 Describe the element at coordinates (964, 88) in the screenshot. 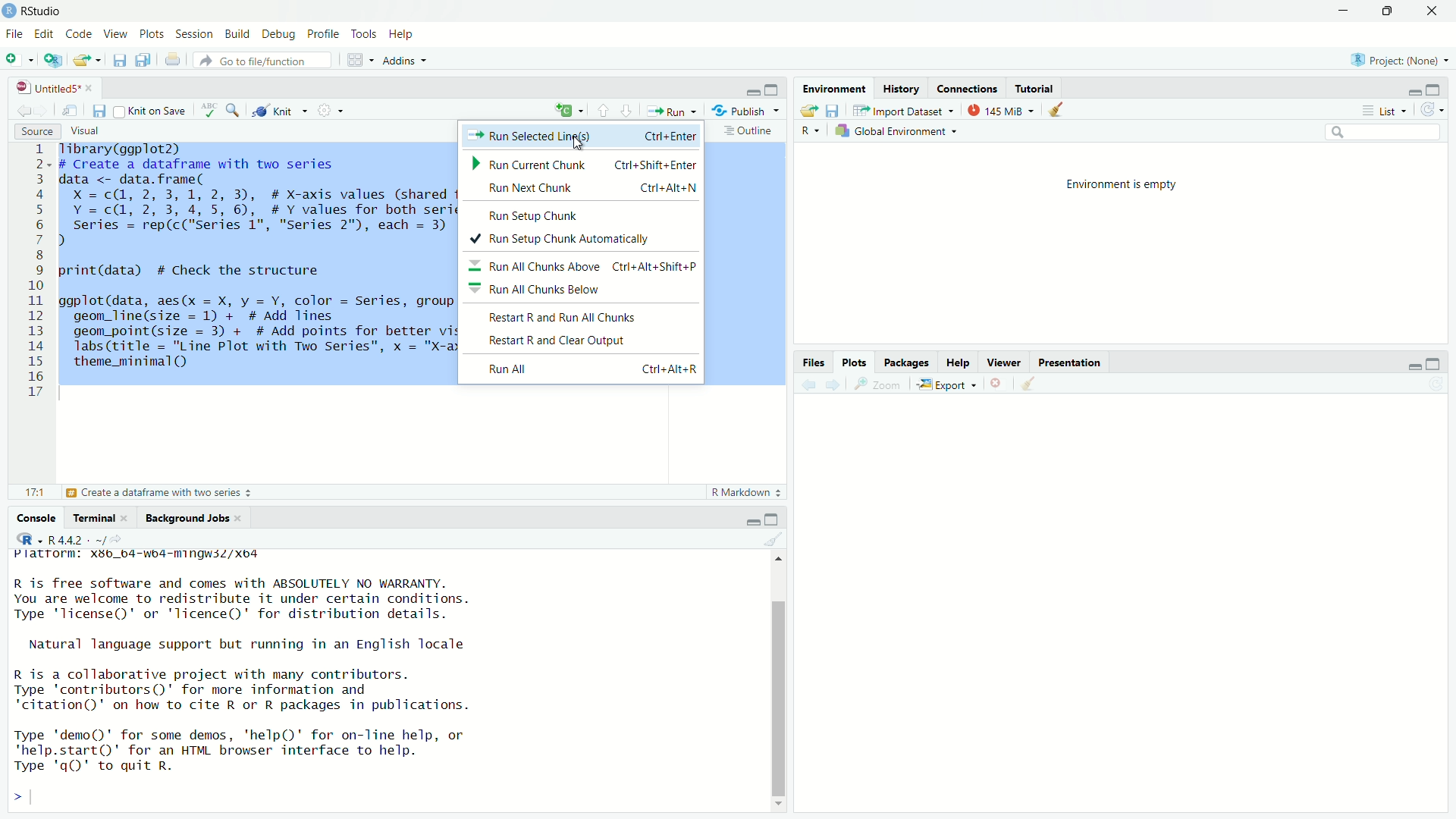

I see `Connections` at that location.